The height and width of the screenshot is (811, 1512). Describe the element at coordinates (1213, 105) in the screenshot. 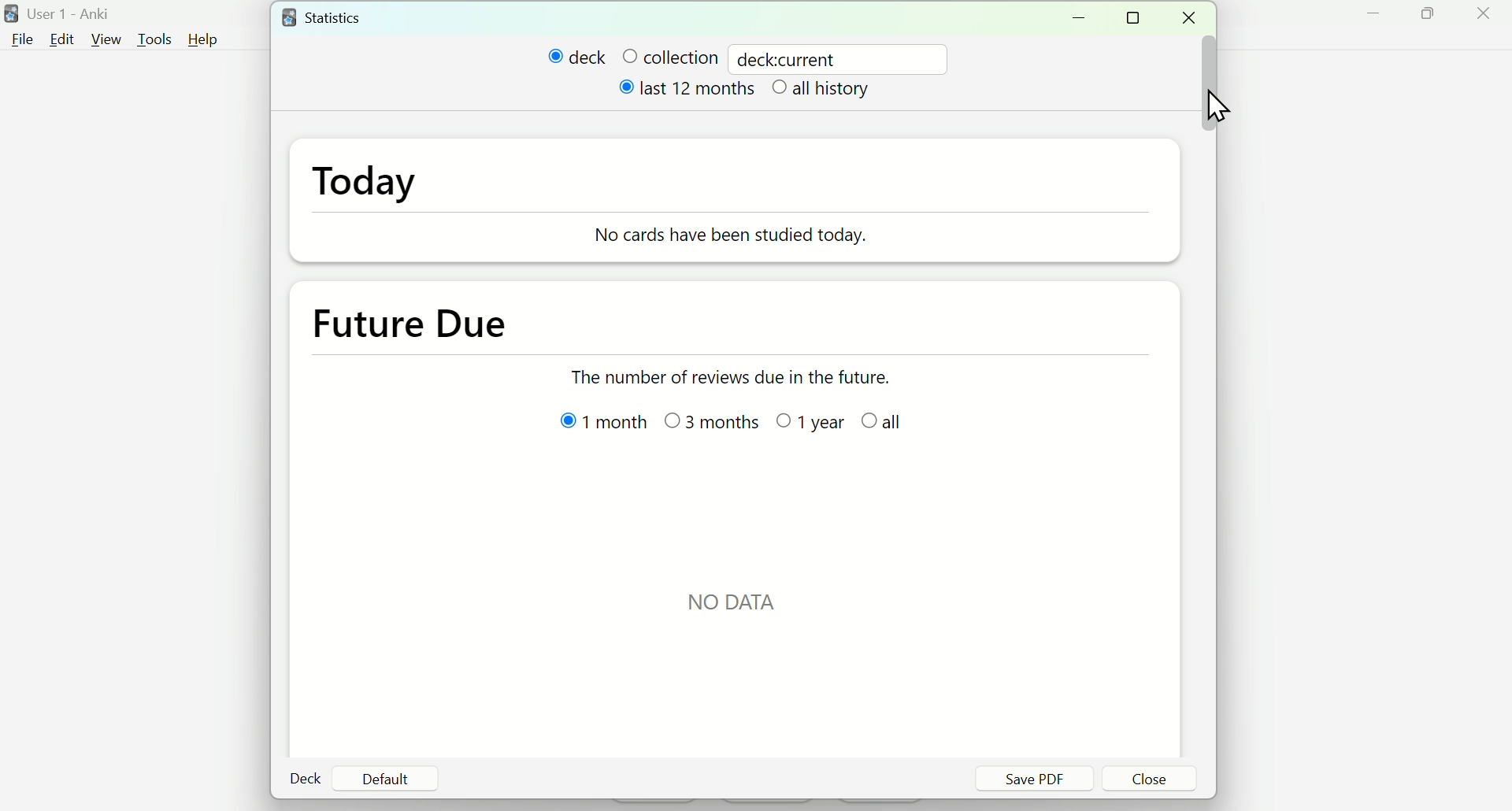

I see `cursor` at that location.